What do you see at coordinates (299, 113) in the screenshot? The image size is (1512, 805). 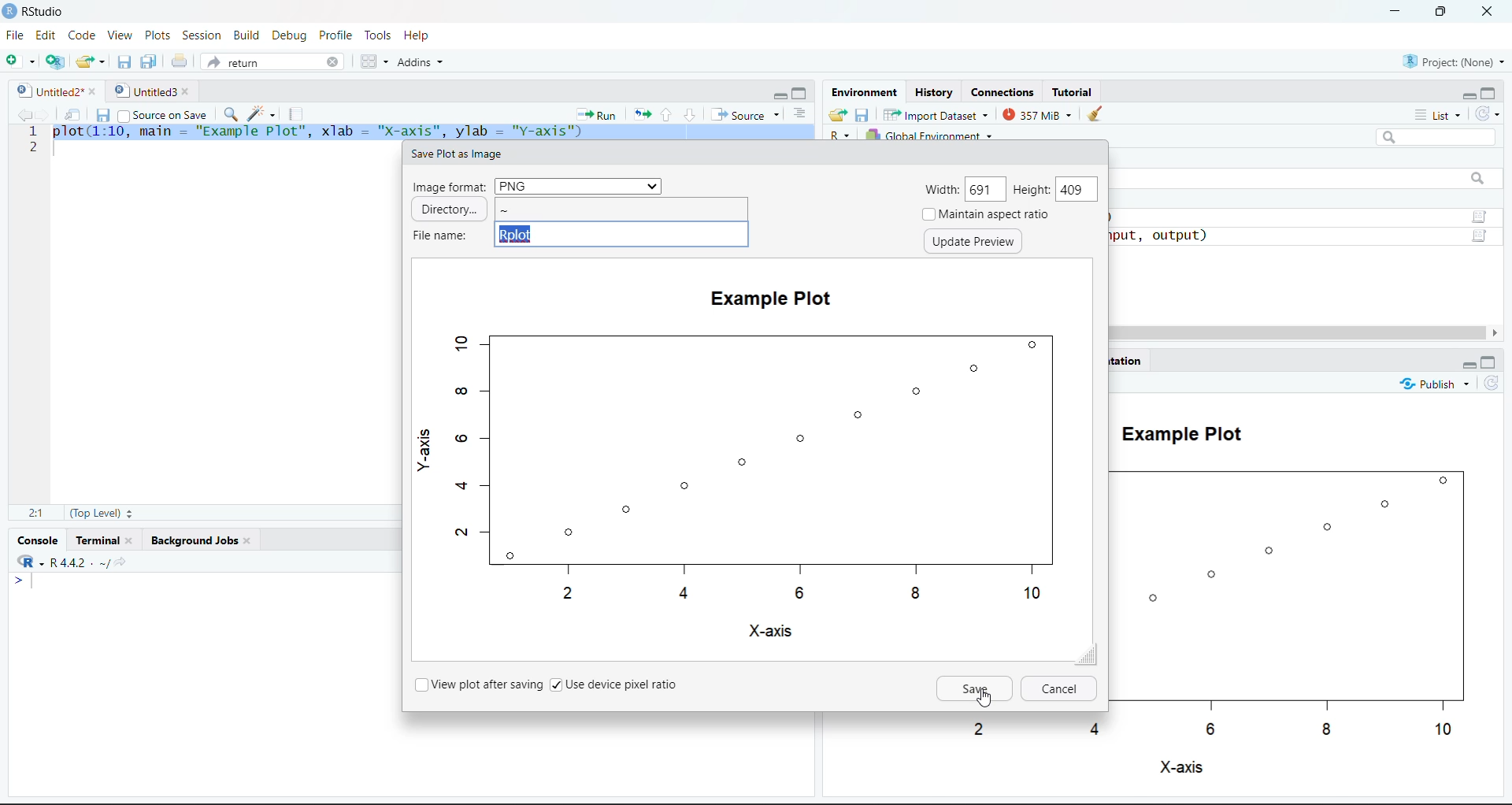 I see `Compile Report (Ctrl + Shift + K)` at bounding box center [299, 113].